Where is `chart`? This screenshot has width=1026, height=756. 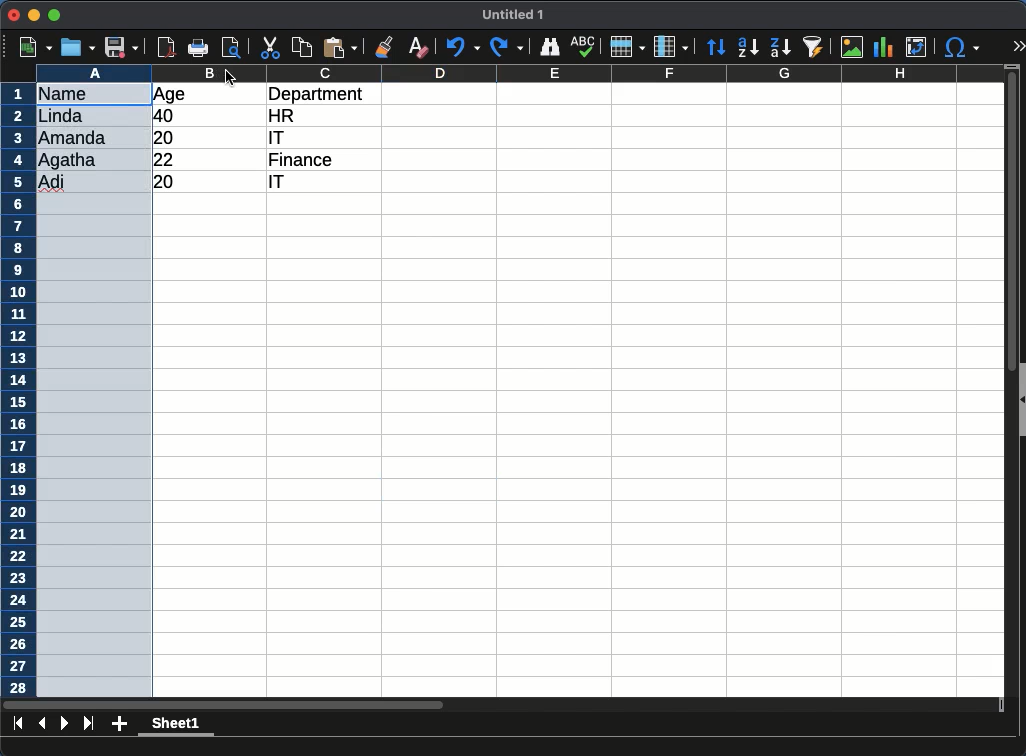 chart is located at coordinates (884, 47).